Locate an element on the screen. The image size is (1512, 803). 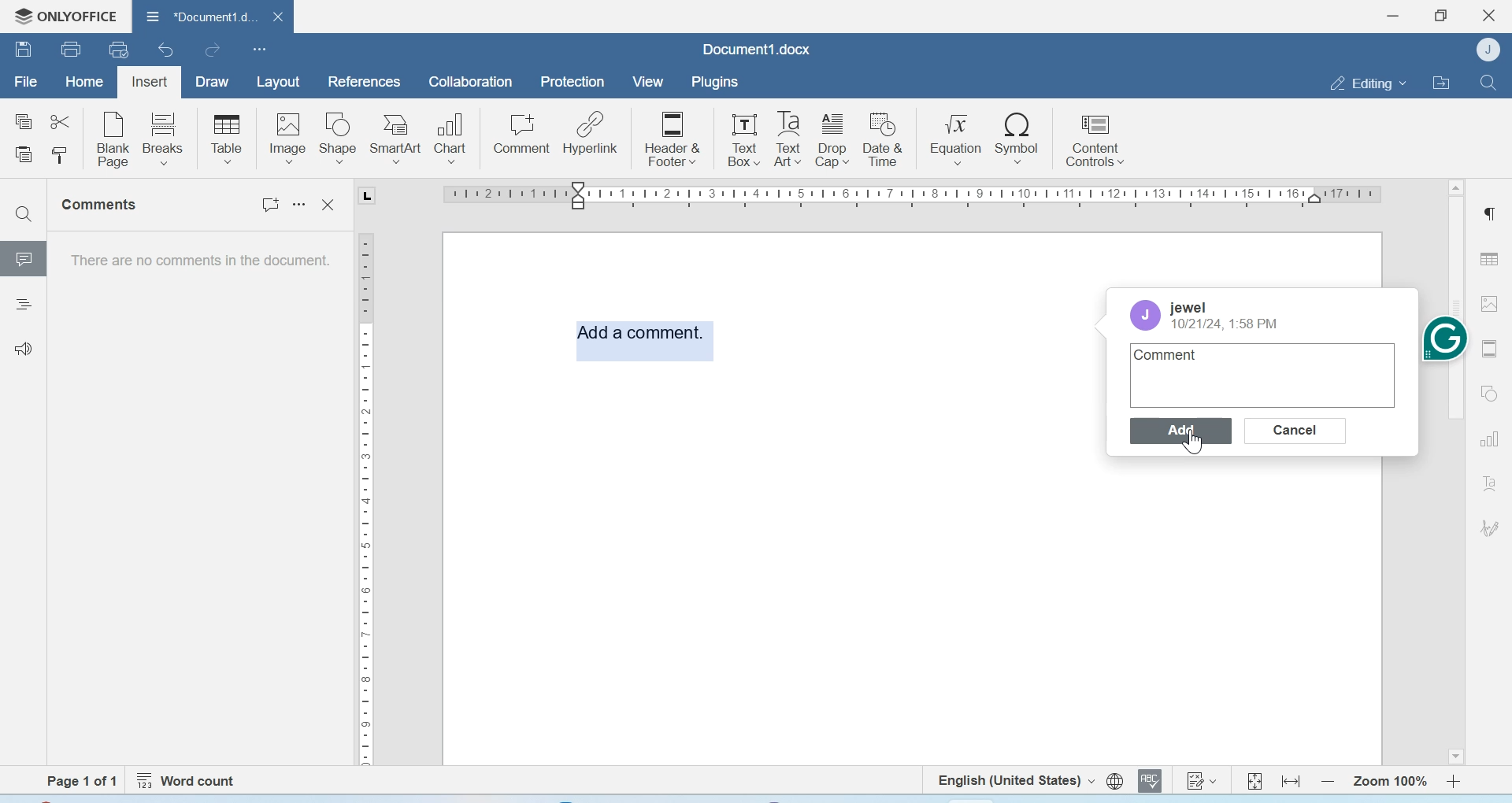
Graphs is located at coordinates (1489, 439).